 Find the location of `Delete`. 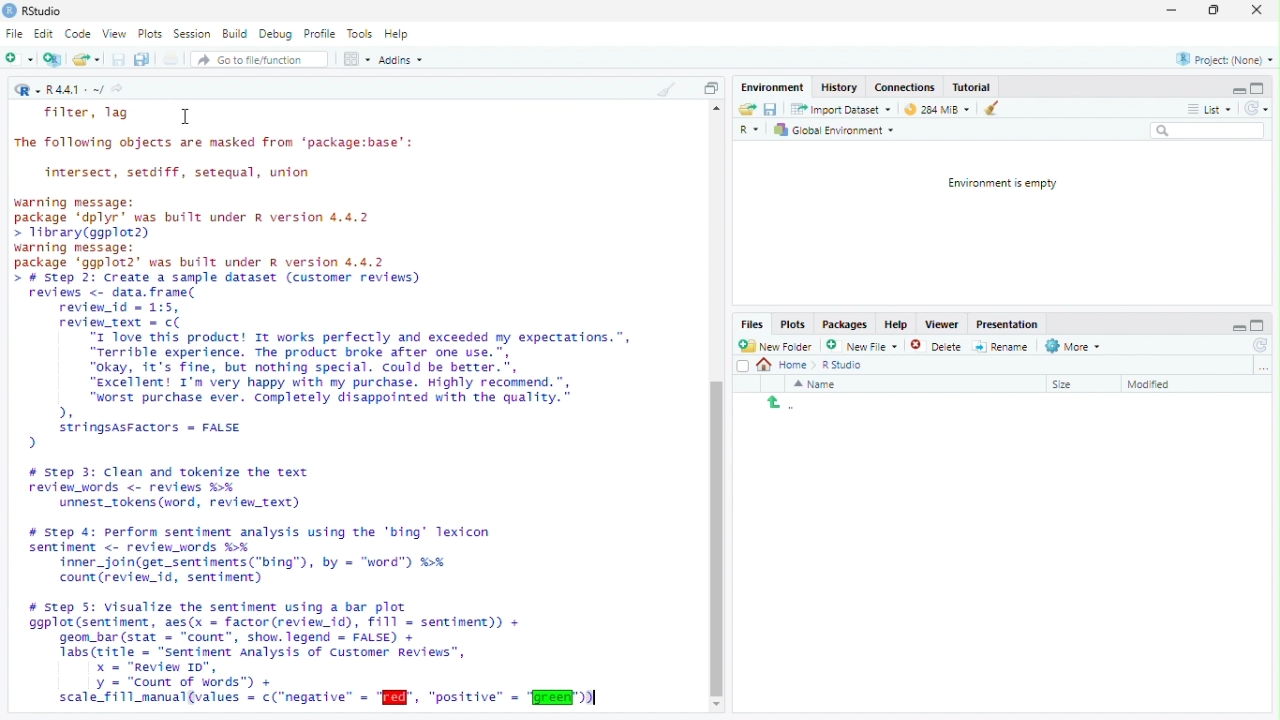

Delete is located at coordinates (923, 346).